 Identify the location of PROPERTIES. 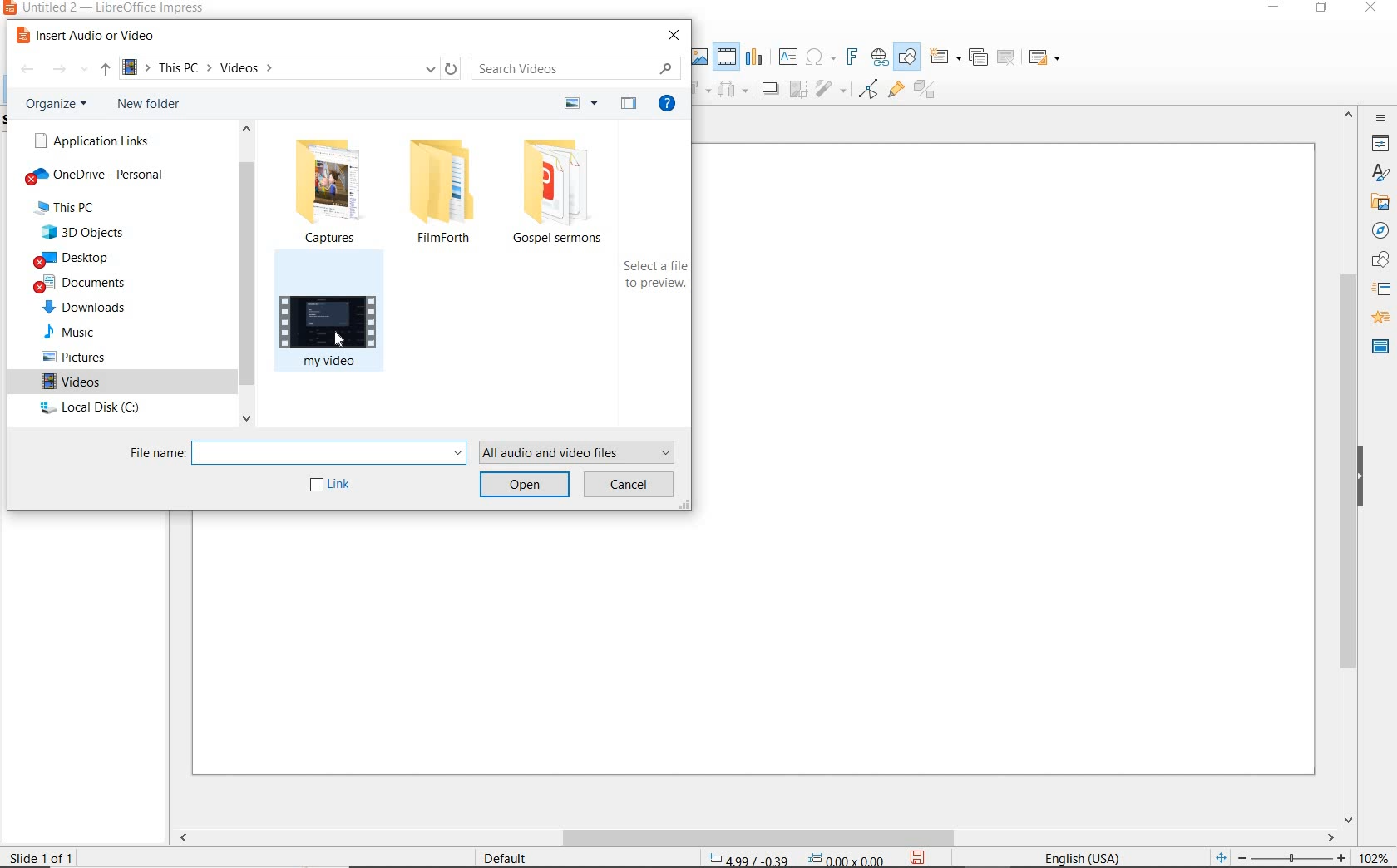
(1382, 145).